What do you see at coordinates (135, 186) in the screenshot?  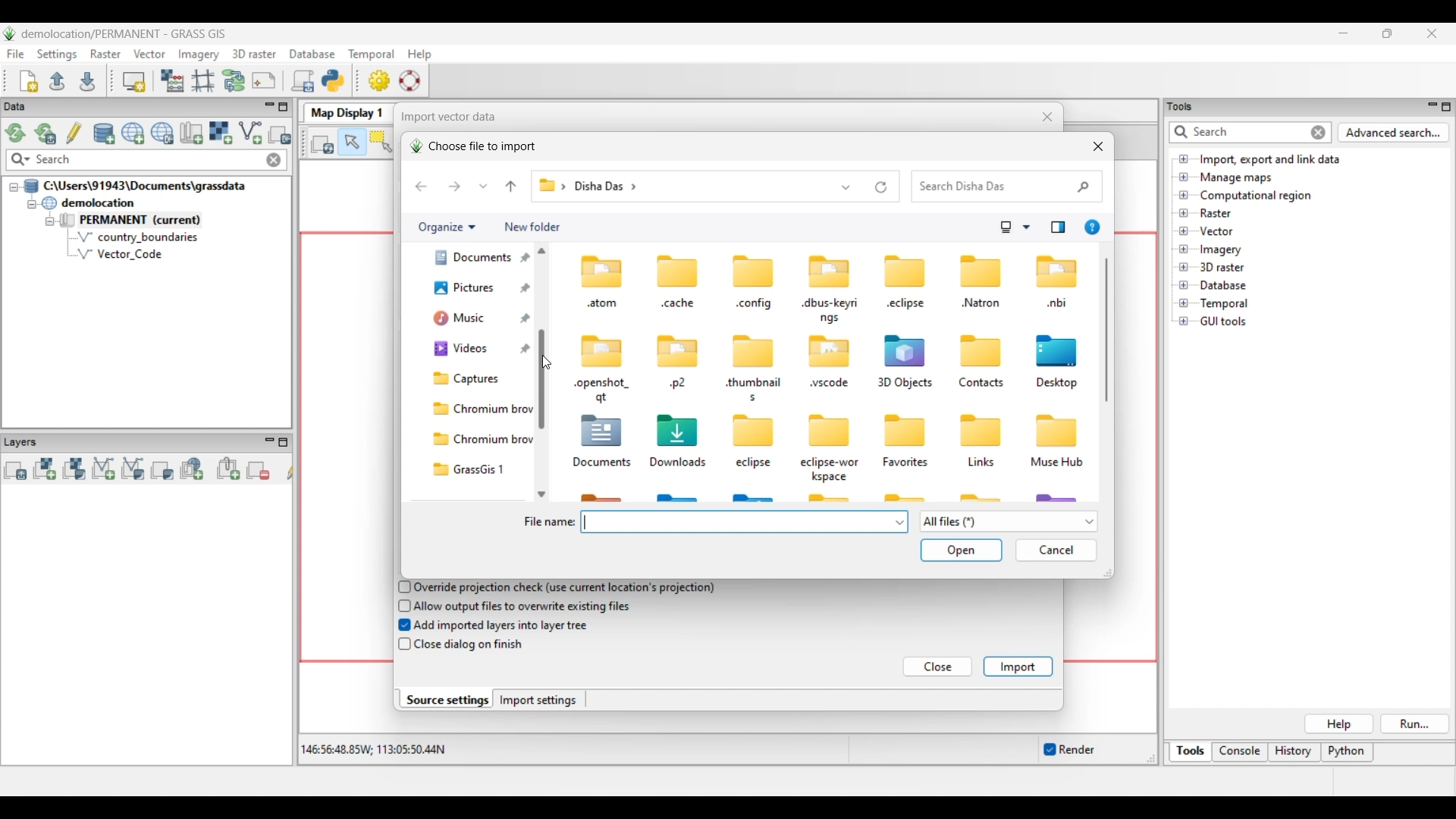 I see `Double click to collapse file thread` at bounding box center [135, 186].